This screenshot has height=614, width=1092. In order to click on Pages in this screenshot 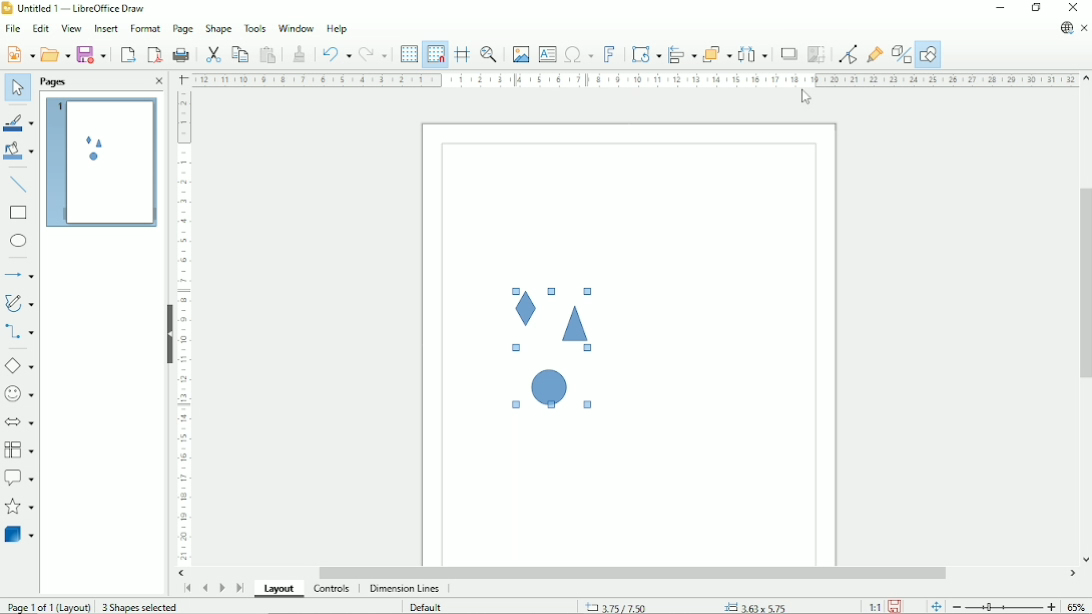, I will do `click(55, 82)`.